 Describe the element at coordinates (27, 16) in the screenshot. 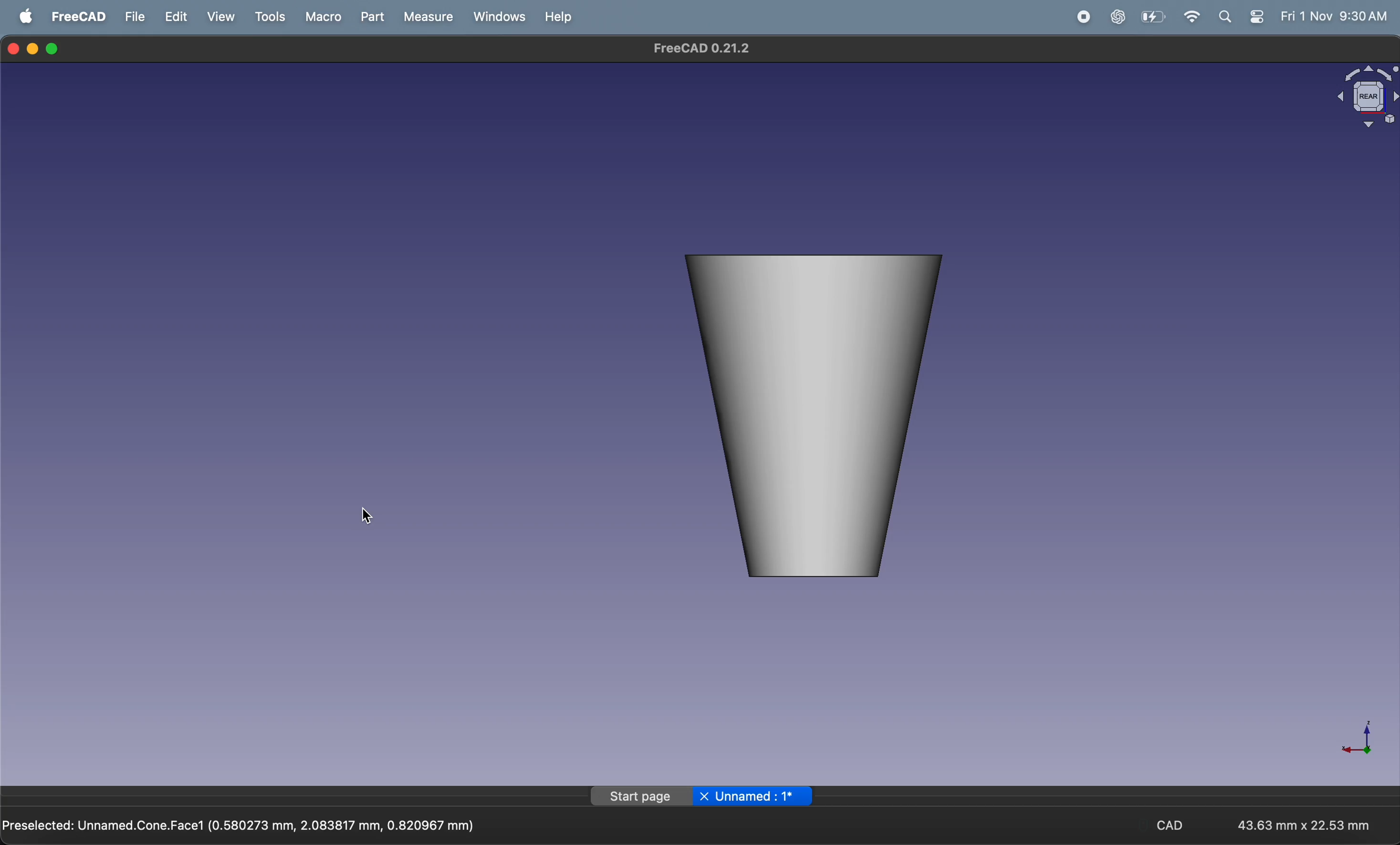

I see `apple menu` at that location.